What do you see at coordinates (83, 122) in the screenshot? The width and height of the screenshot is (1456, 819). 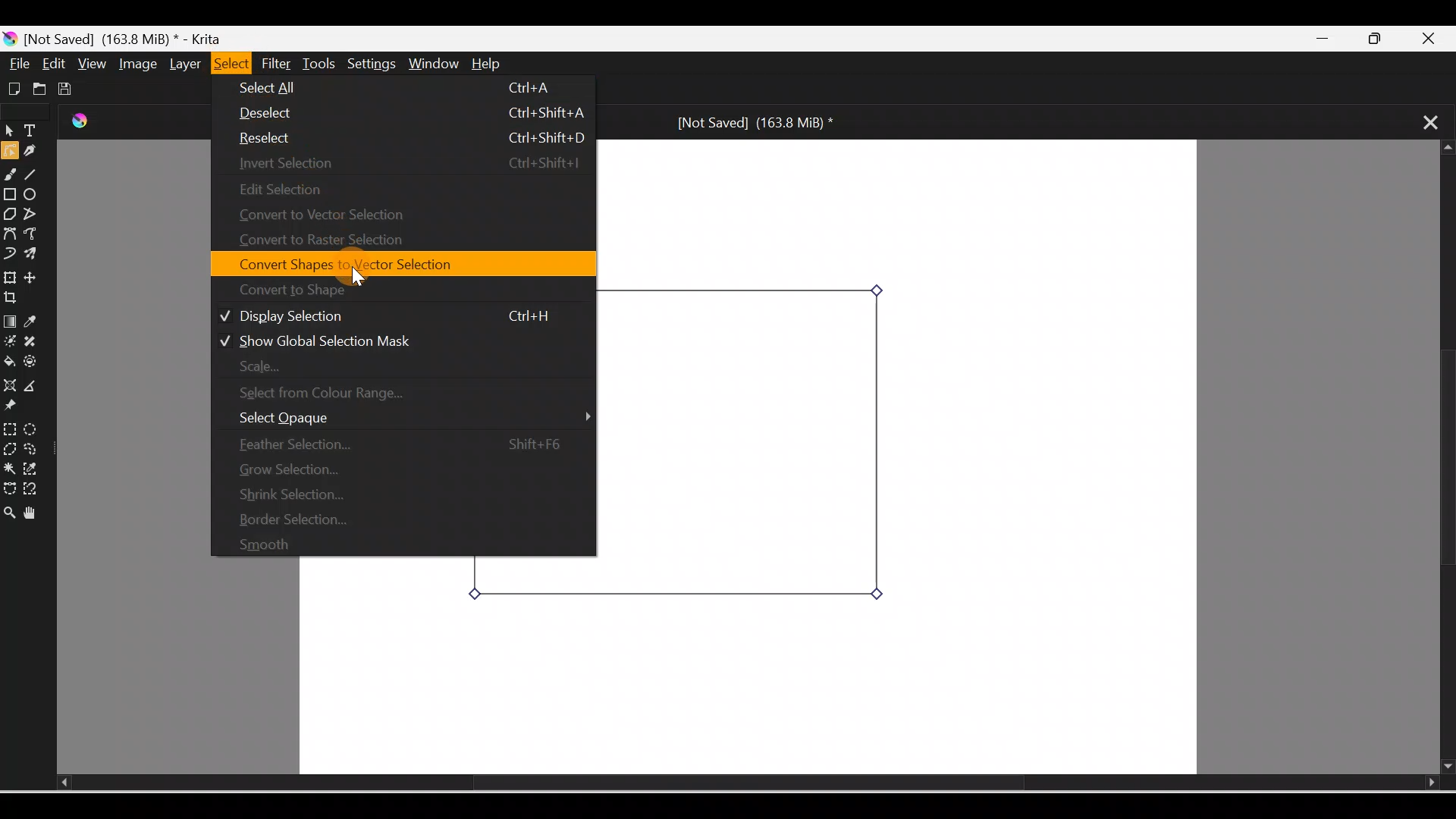 I see `Krita Logo` at bounding box center [83, 122].